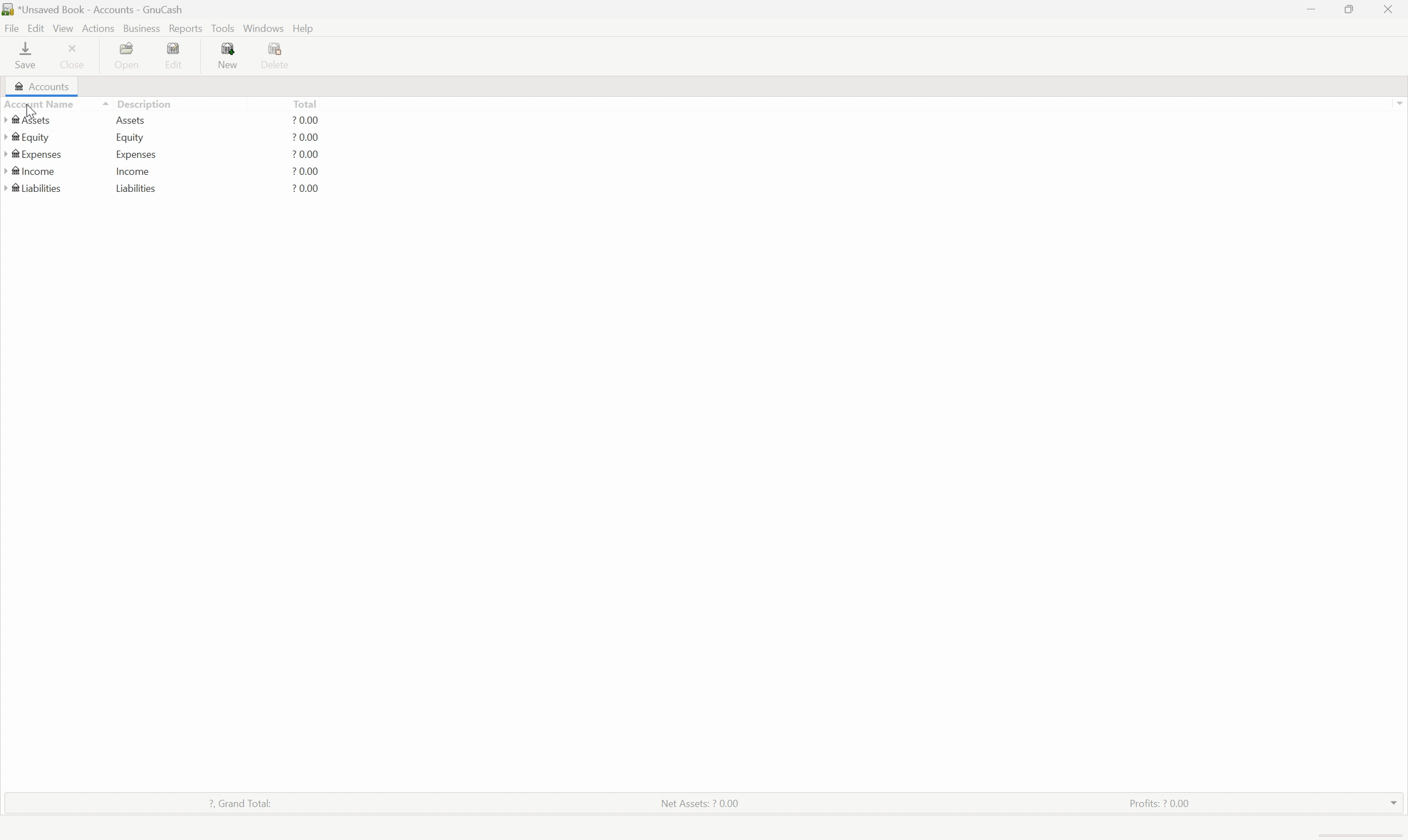  What do you see at coordinates (136, 188) in the screenshot?
I see `Liabilities` at bounding box center [136, 188].